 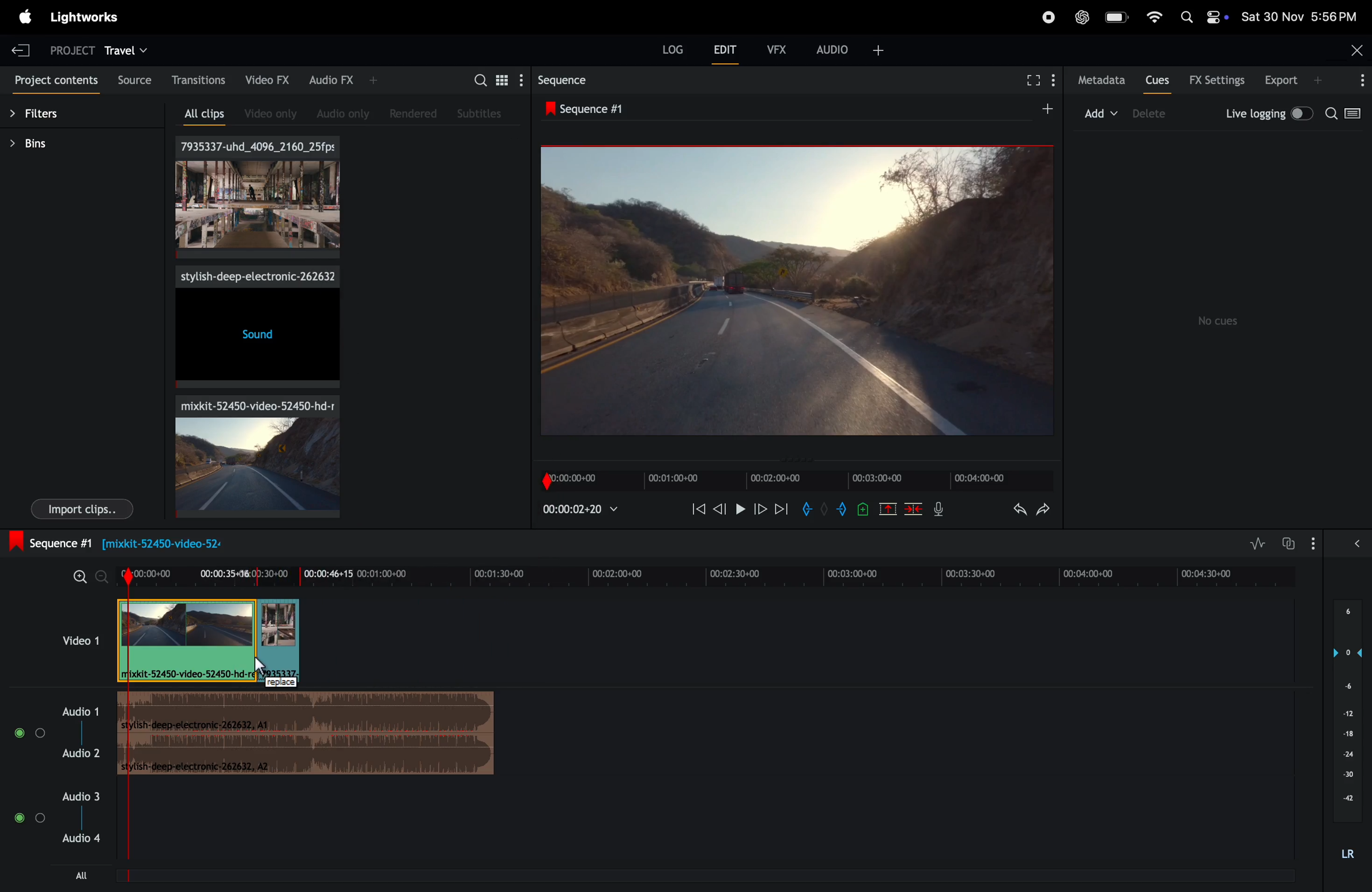 What do you see at coordinates (1099, 112) in the screenshot?
I see `add` at bounding box center [1099, 112].